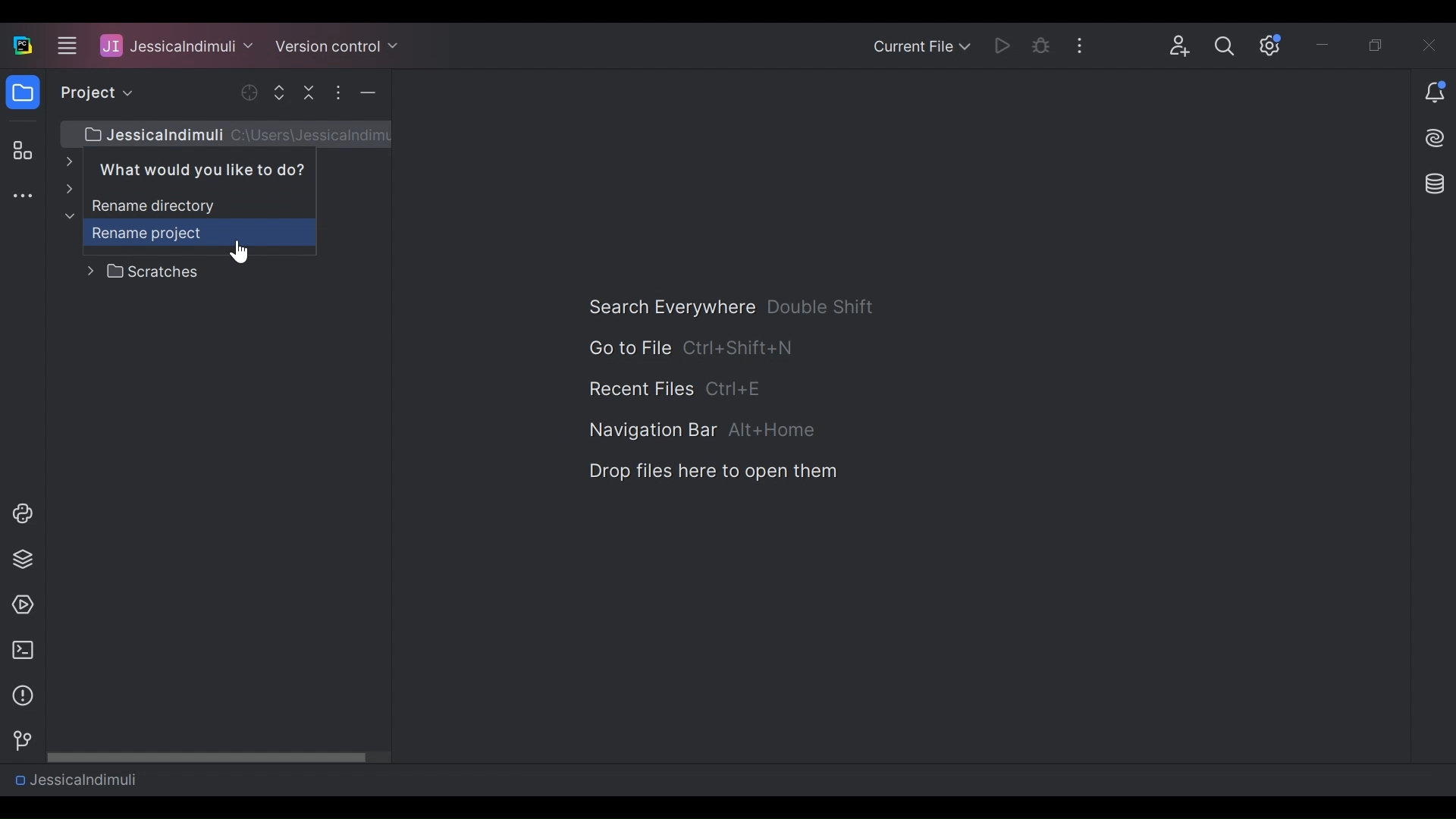  What do you see at coordinates (1042, 45) in the screenshot?
I see `Debug` at bounding box center [1042, 45].